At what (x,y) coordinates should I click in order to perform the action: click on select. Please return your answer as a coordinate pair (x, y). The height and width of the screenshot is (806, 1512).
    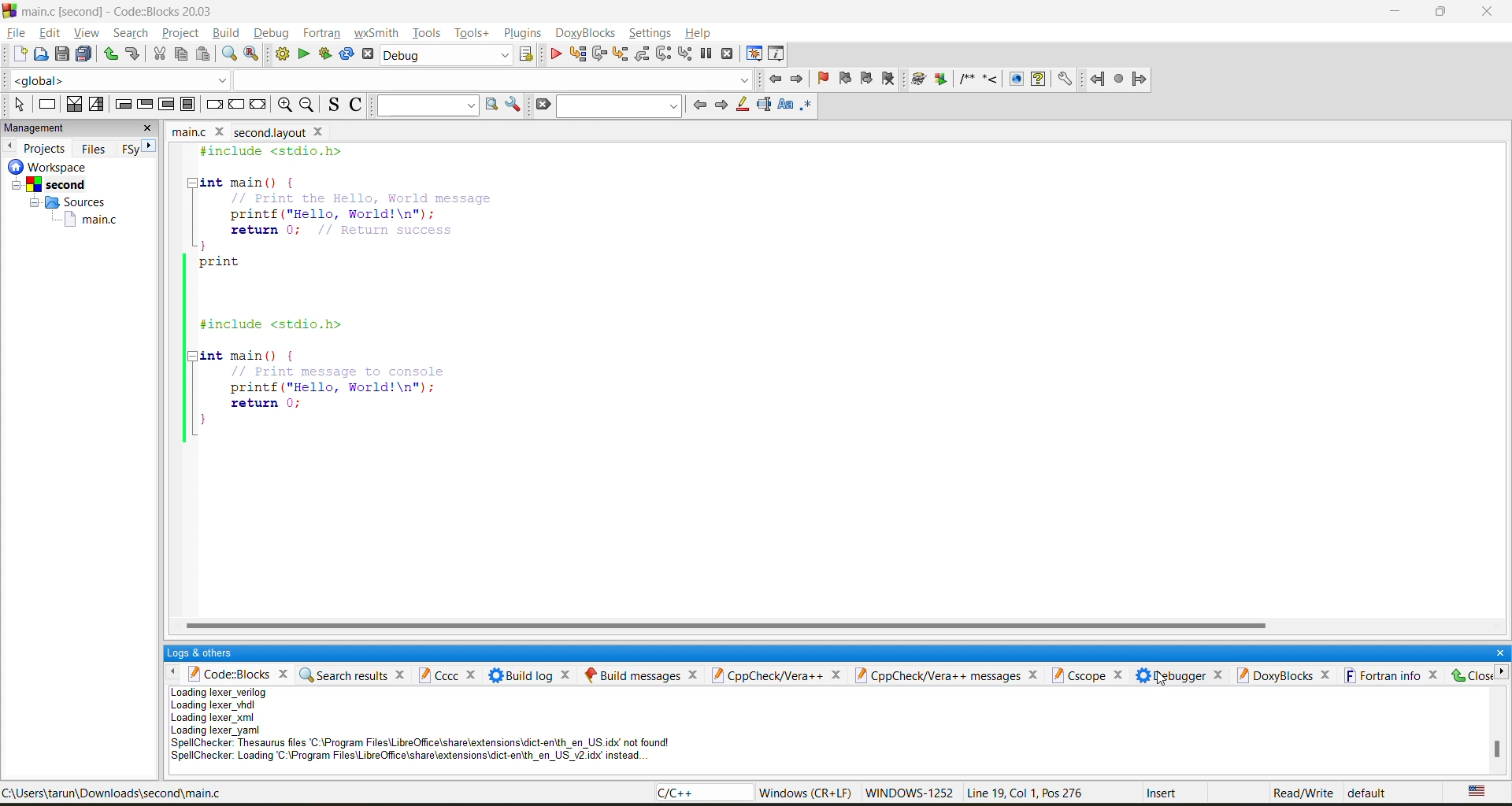
    Looking at the image, I should click on (17, 105).